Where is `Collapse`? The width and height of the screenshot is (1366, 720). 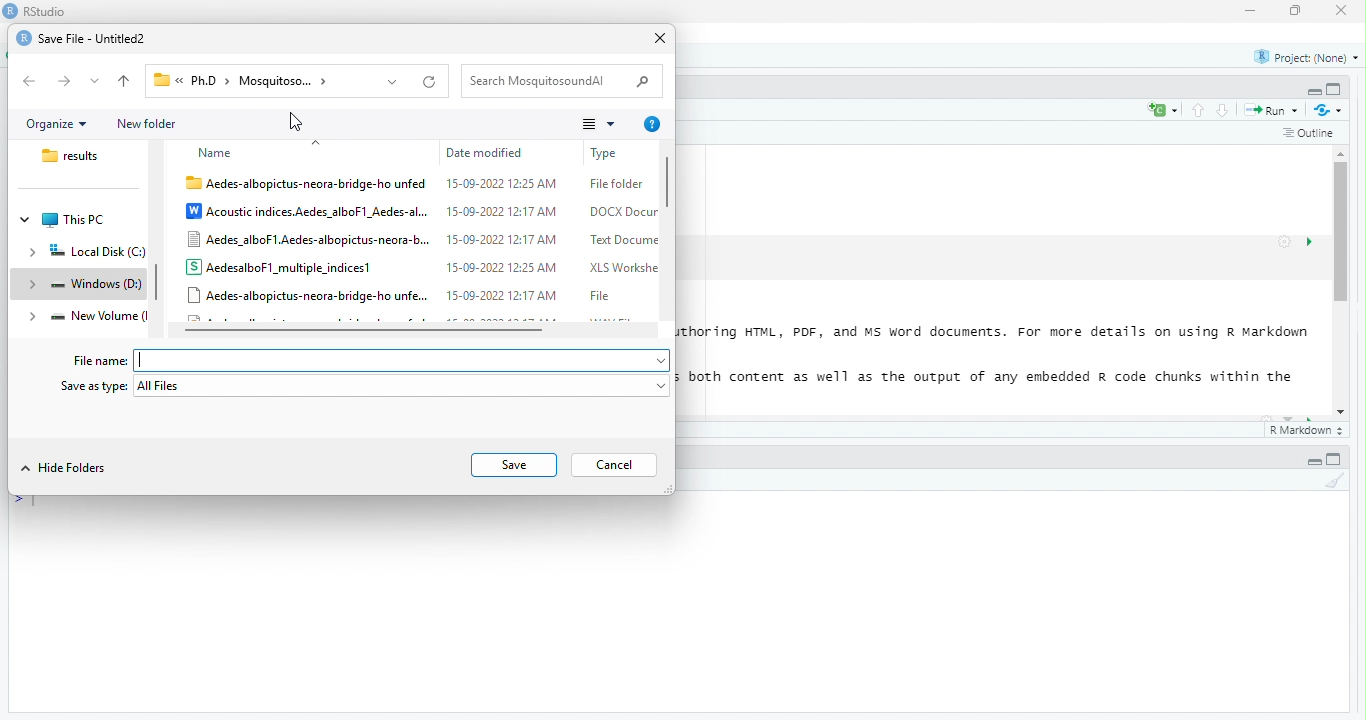
Collapse is located at coordinates (1314, 92).